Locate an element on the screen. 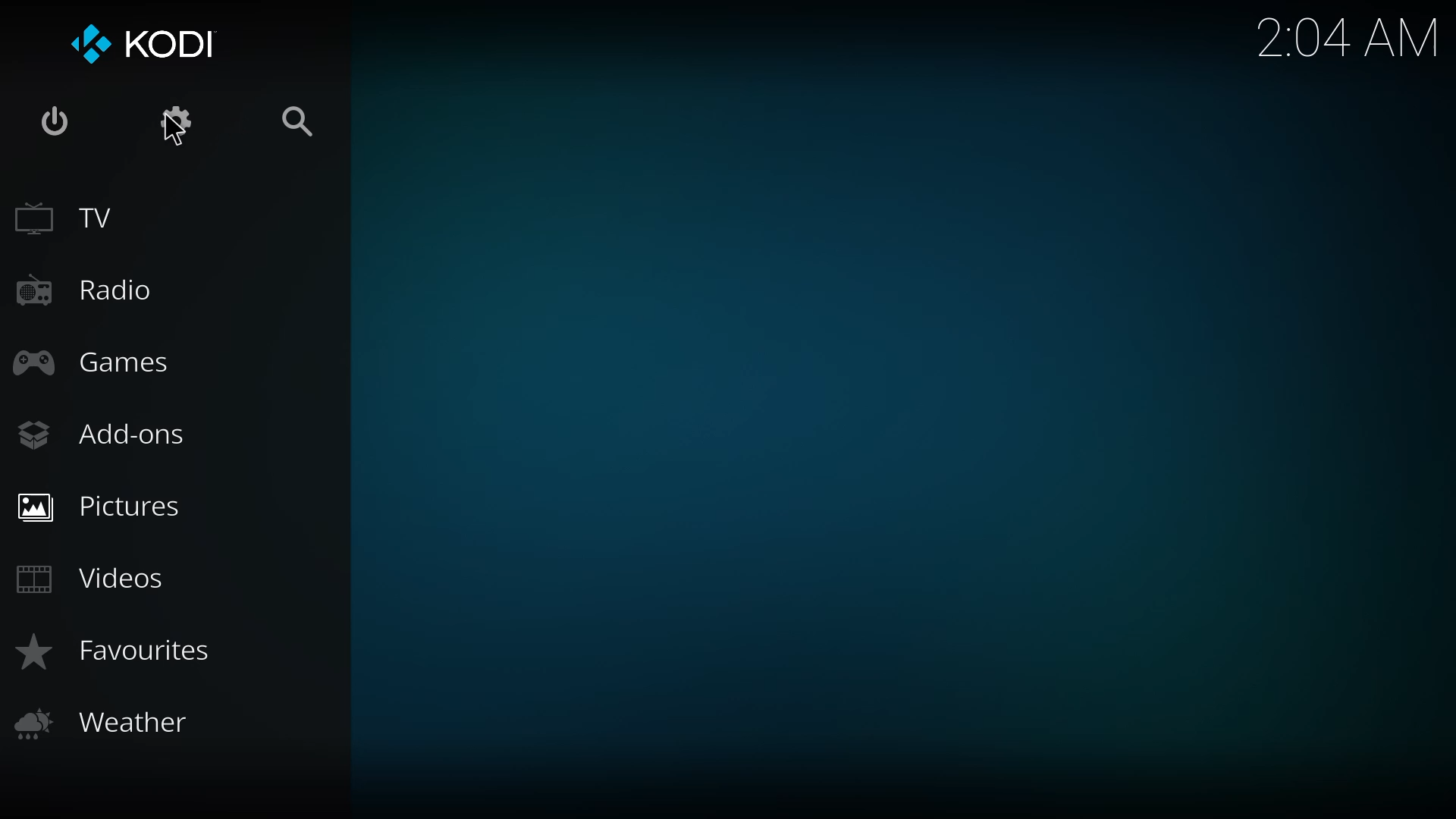  videos is located at coordinates (98, 578).